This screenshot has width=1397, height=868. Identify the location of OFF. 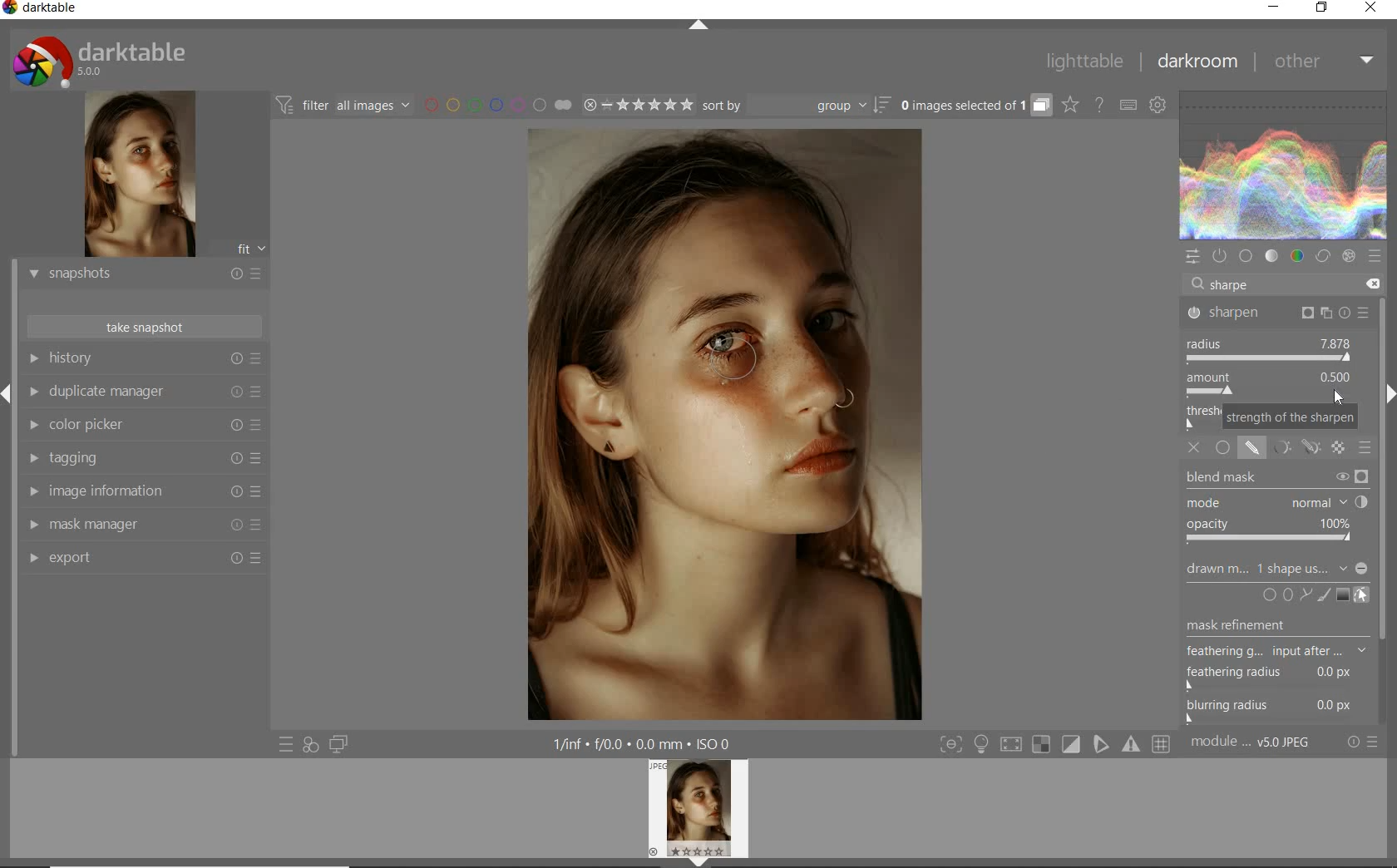
(1197, 449).